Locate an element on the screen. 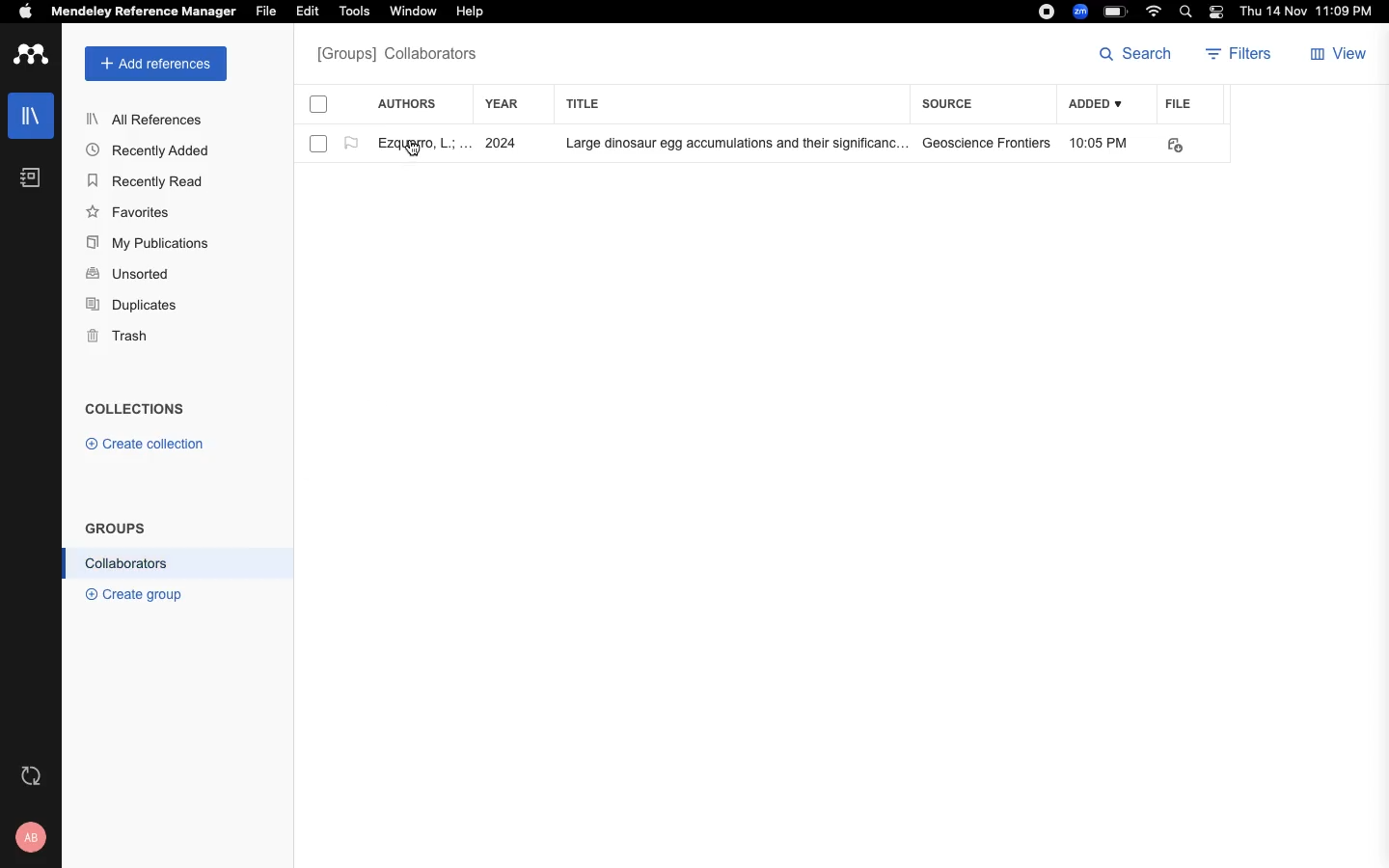  source is located at coordinates (950, 105).